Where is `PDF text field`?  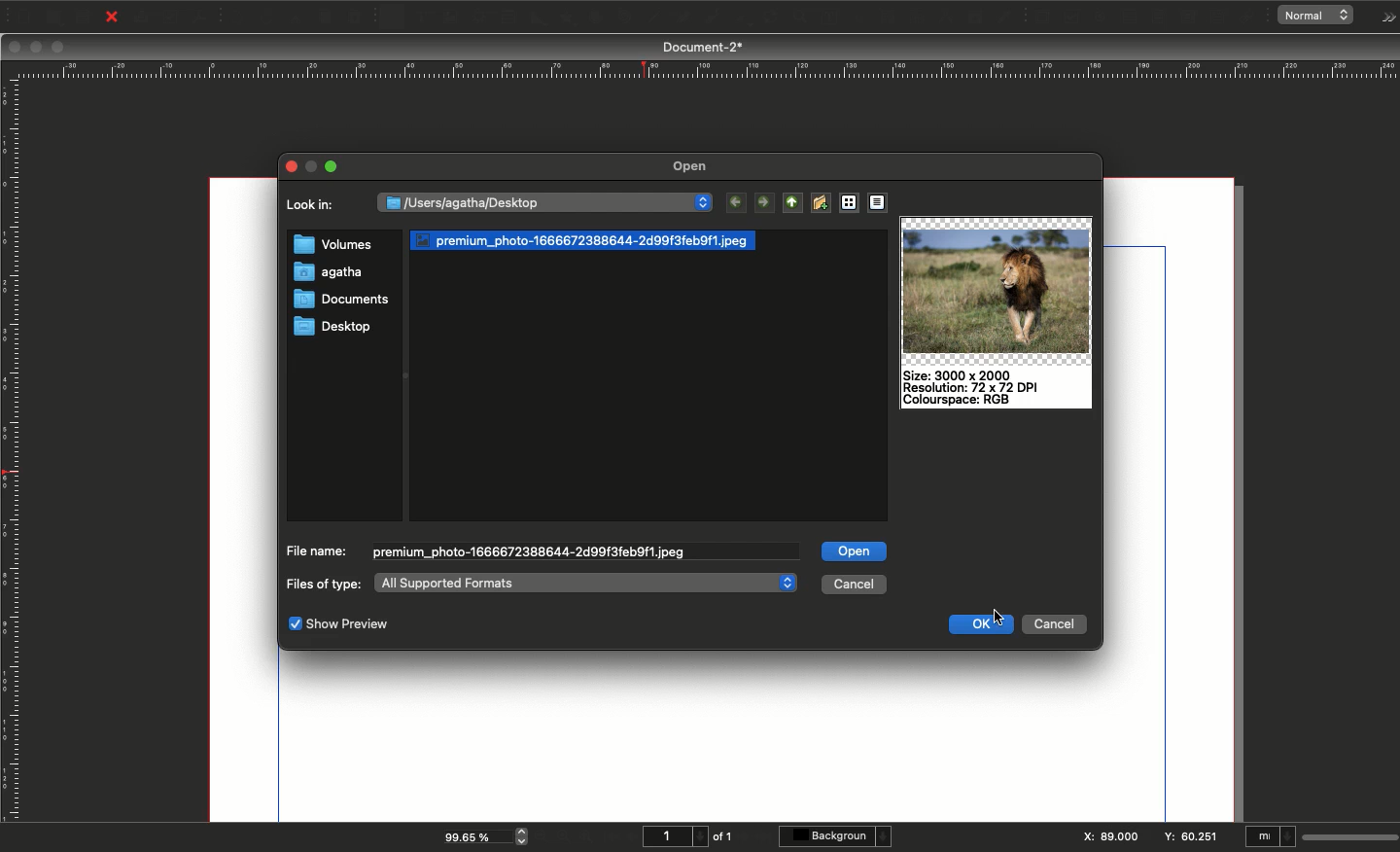
PDF text field is located at coordinates (1129, 18).